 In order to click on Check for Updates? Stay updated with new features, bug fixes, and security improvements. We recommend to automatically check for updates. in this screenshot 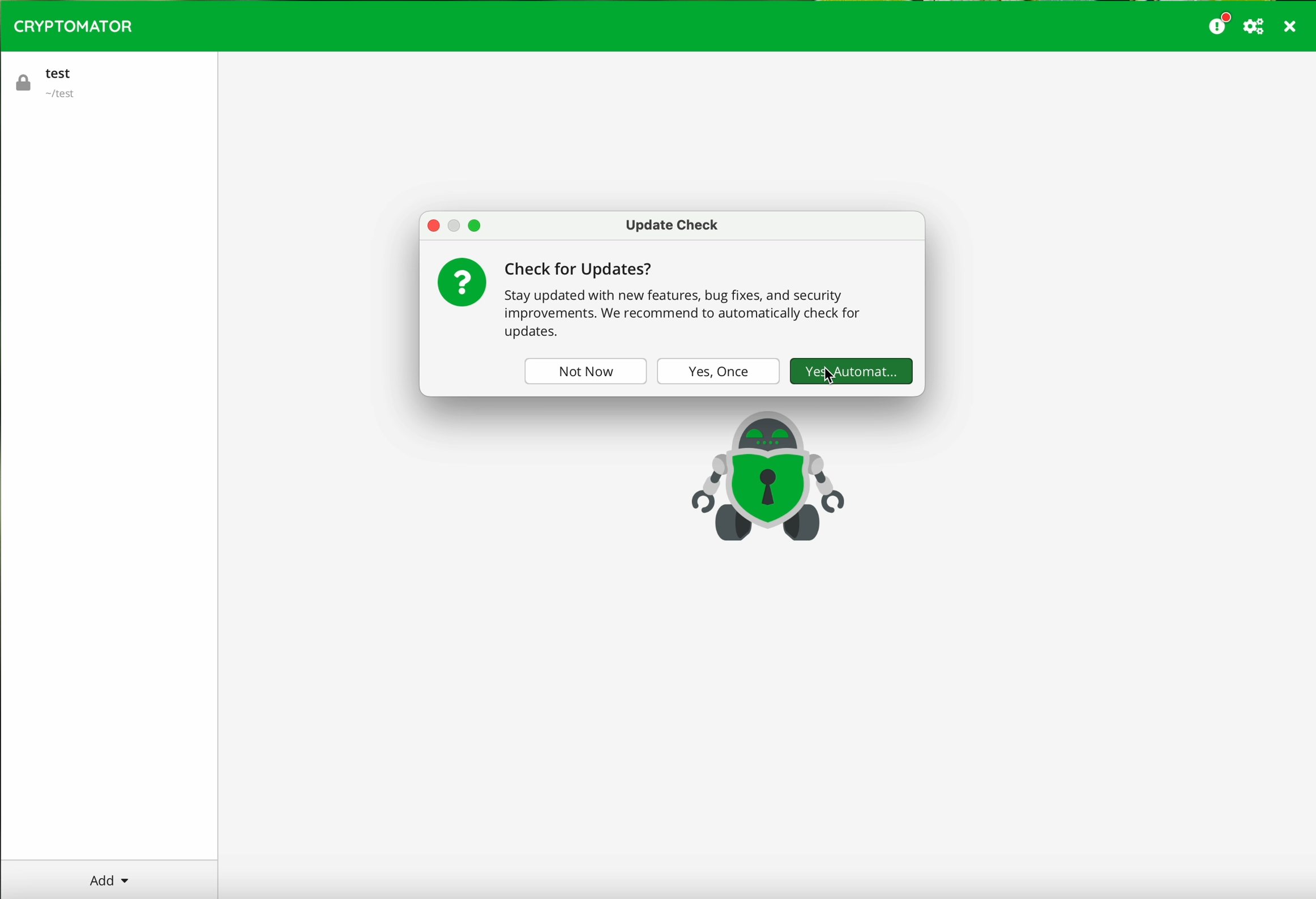, I will do `click(698, 300)`.